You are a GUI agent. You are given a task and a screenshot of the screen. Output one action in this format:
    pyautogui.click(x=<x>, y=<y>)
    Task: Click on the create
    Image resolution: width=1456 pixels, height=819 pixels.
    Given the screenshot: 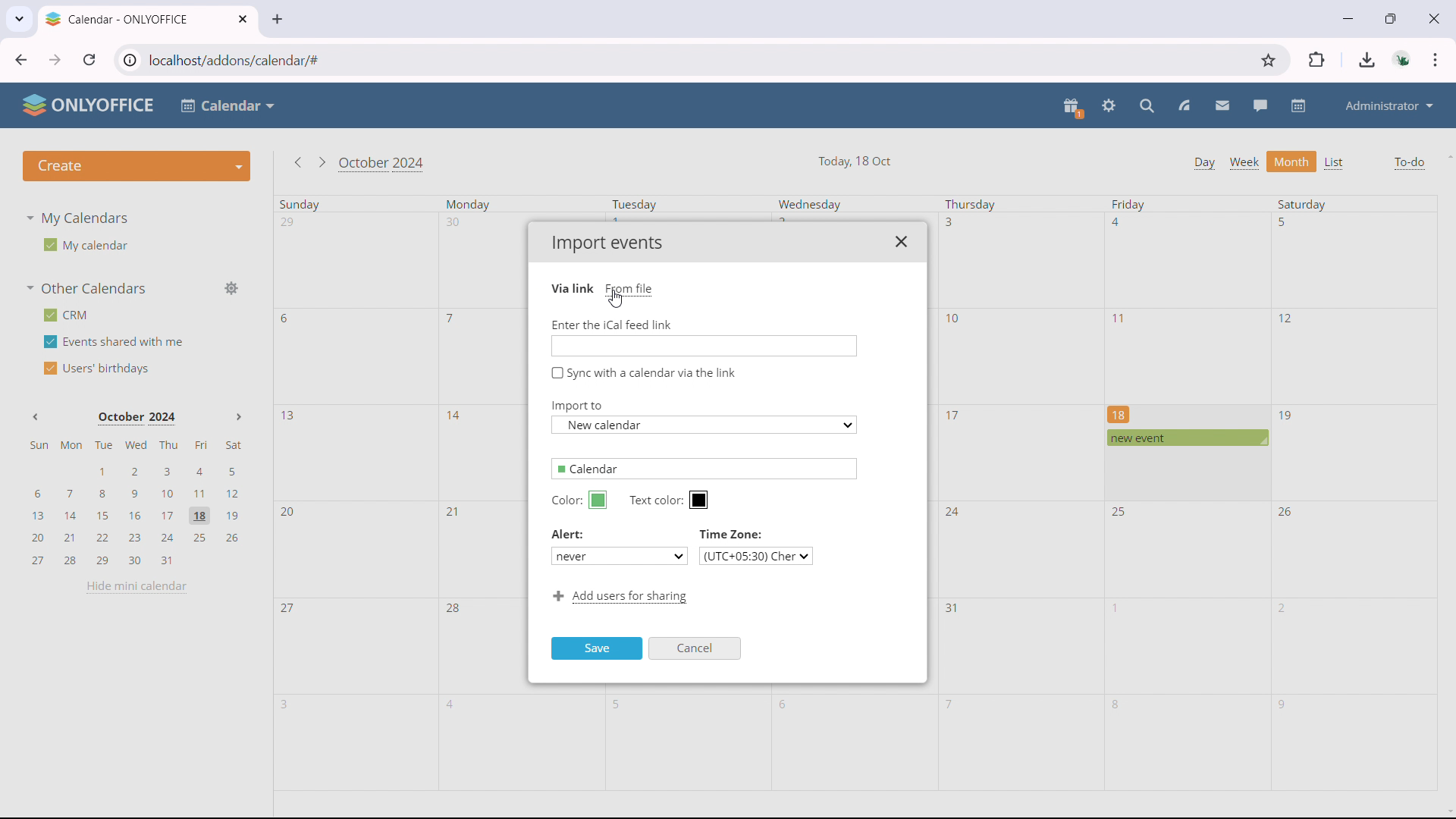 What is the action you would take?
    pyautogui.click(x=136, y=165)
    